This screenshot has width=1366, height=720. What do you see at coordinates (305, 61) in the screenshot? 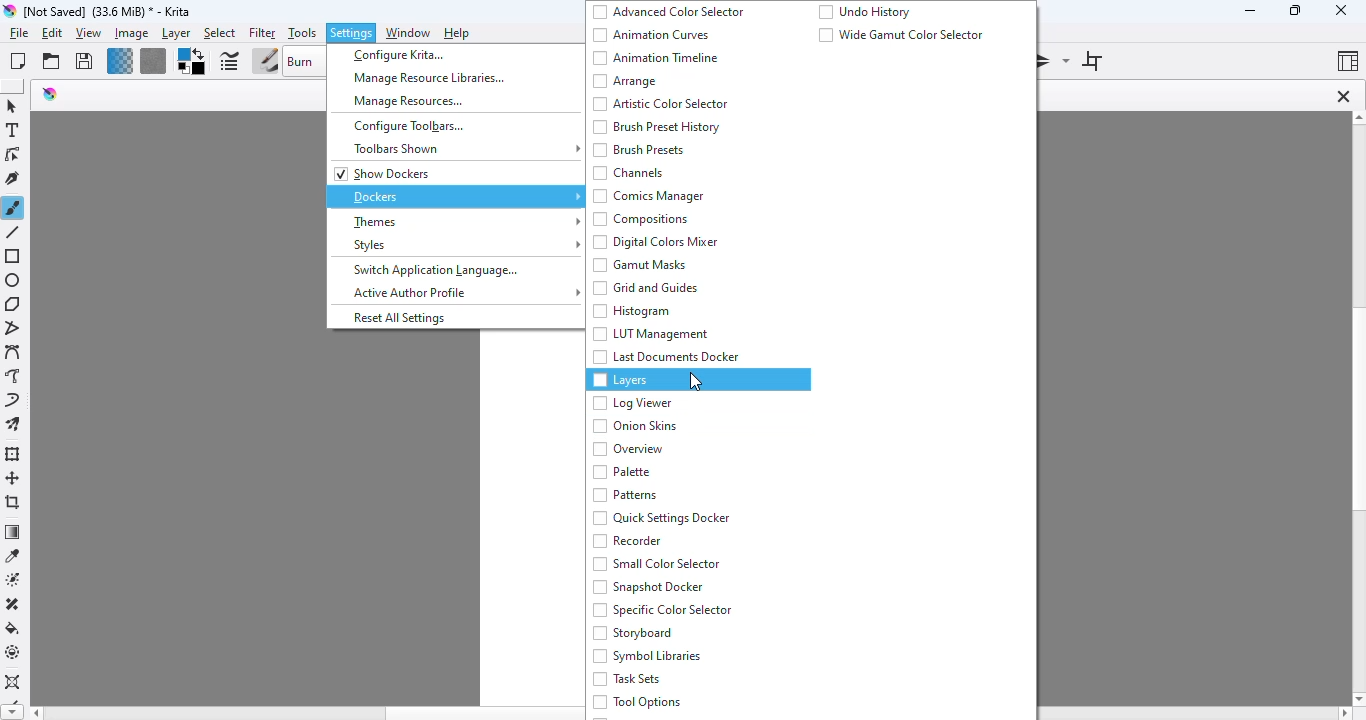
I see `blending mode` at bounding box center [305, 61].